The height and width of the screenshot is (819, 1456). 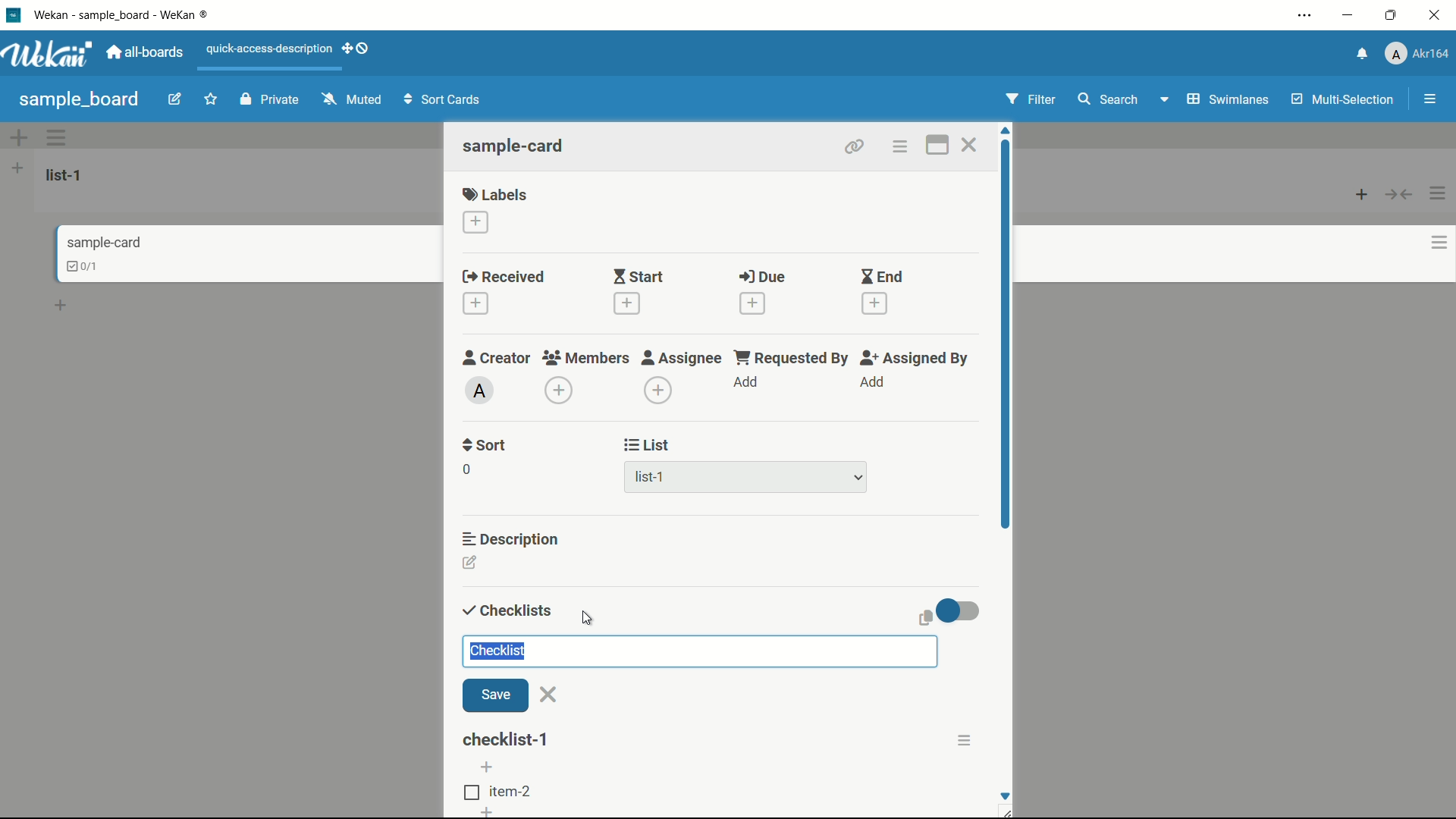 What do you see at coordinates (858, 479) in the screenshot?
I see `dropdown` at bounding box center [858, 479].